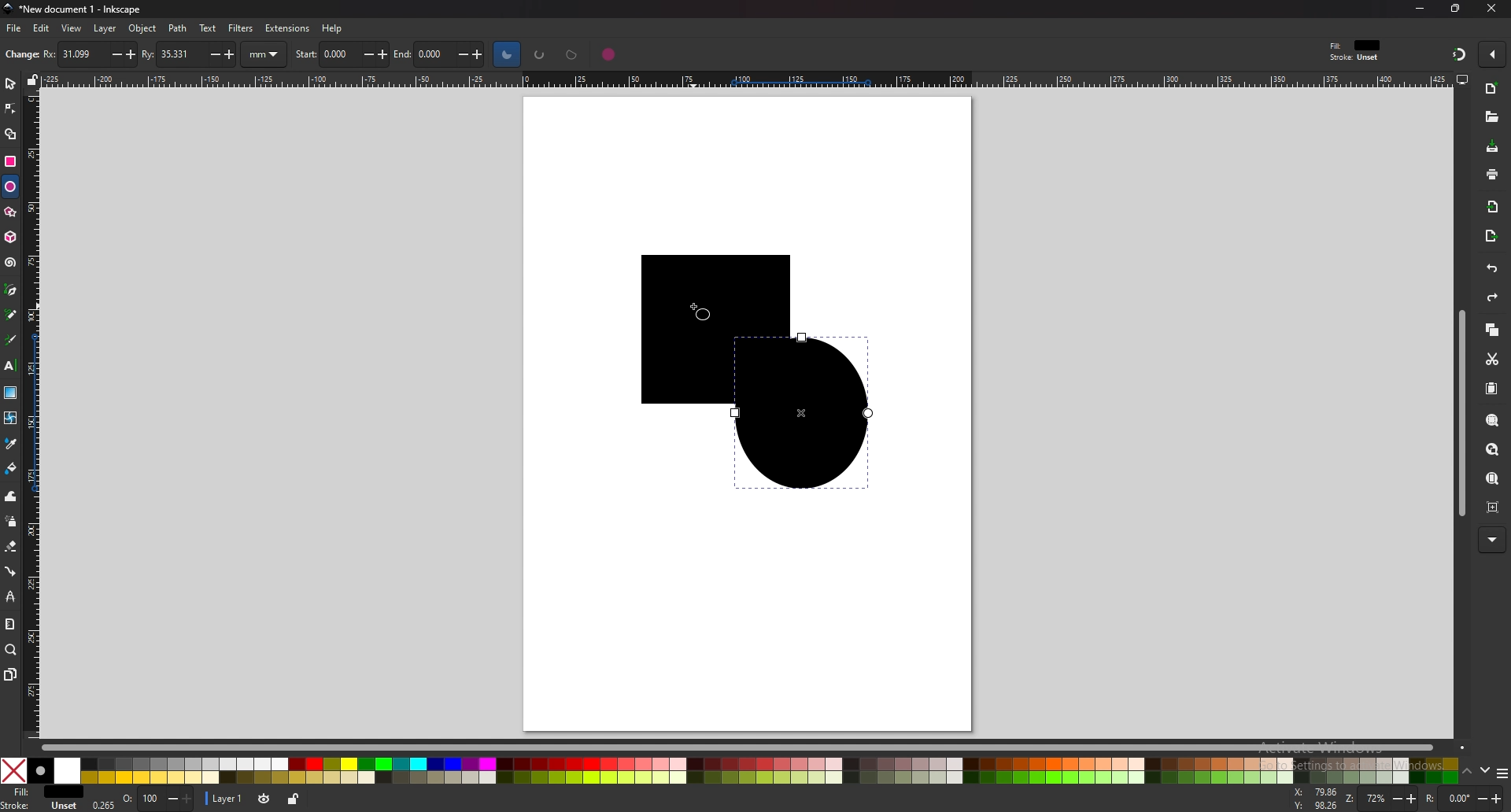 This screenshot has height=812, width=1511. What do you see at coordinates (1492, 8) in the screenshot?
I see `close` at bounding box center [1492, 8].